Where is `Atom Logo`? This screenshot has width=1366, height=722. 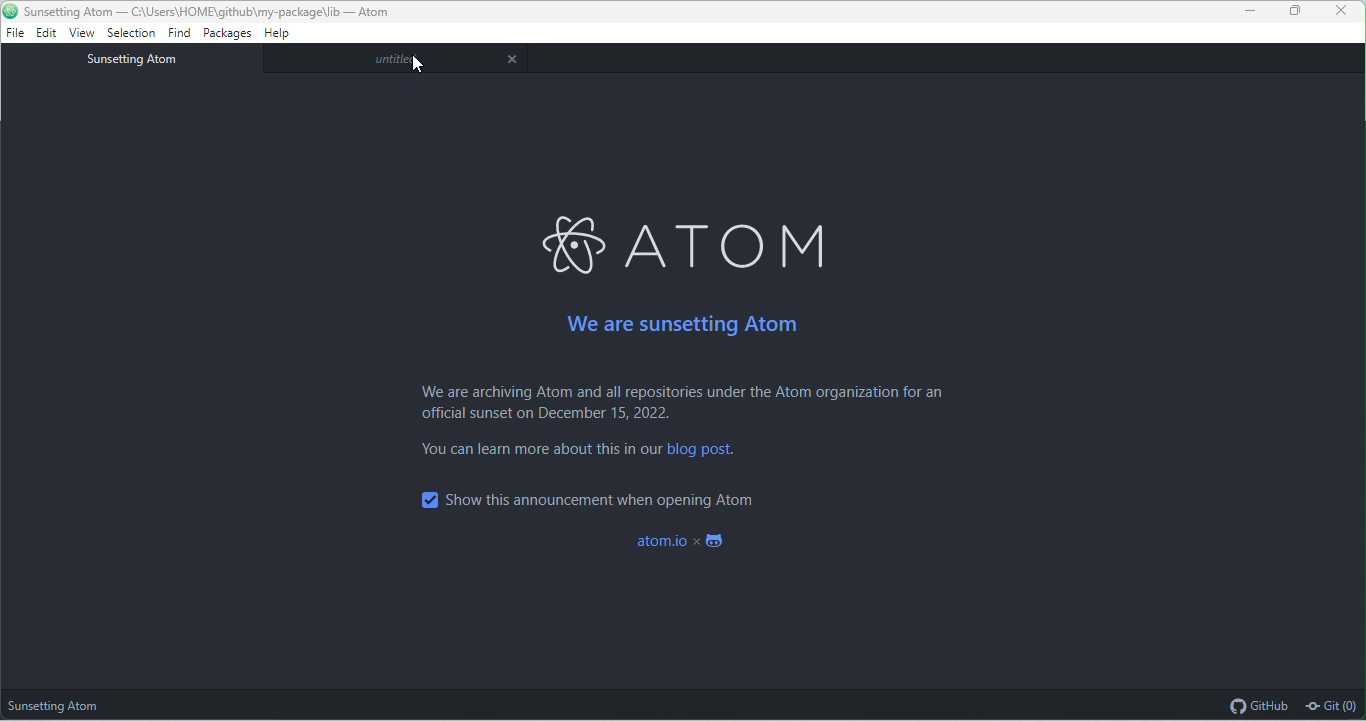
Atom Logo is located at coordinates (10, 12).